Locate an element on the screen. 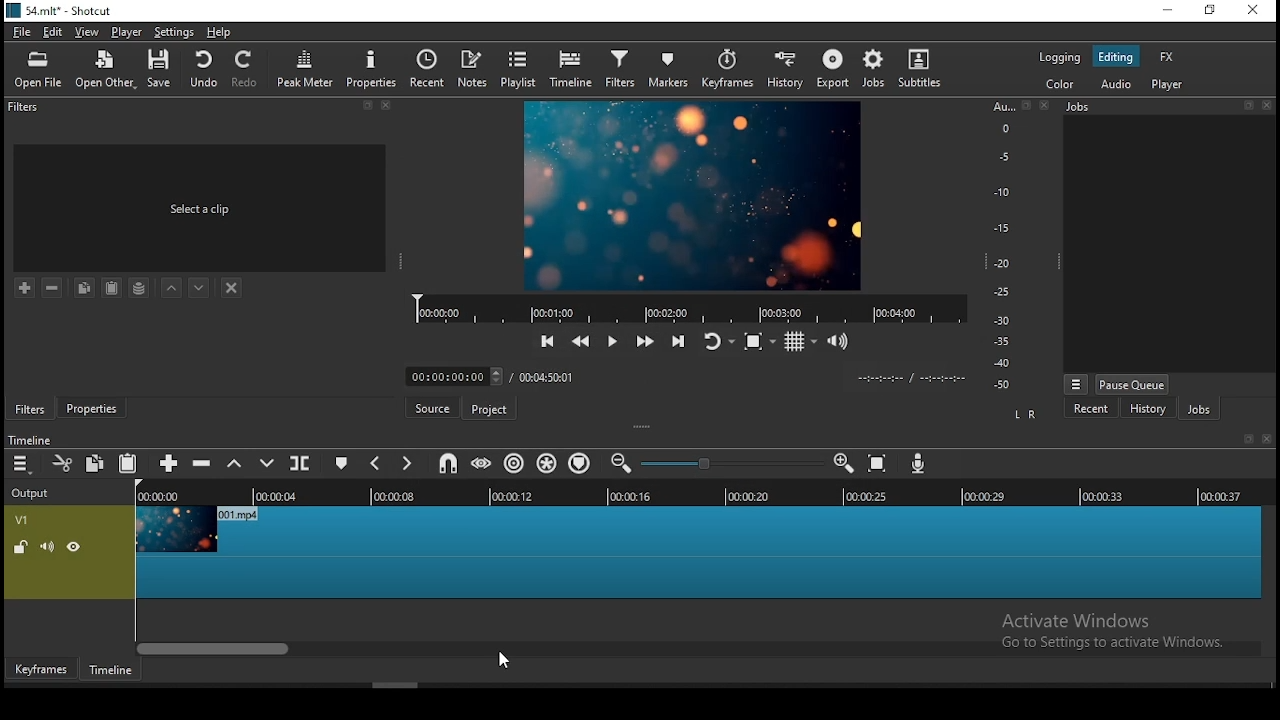  next marker is located at coordinates (404, 463).